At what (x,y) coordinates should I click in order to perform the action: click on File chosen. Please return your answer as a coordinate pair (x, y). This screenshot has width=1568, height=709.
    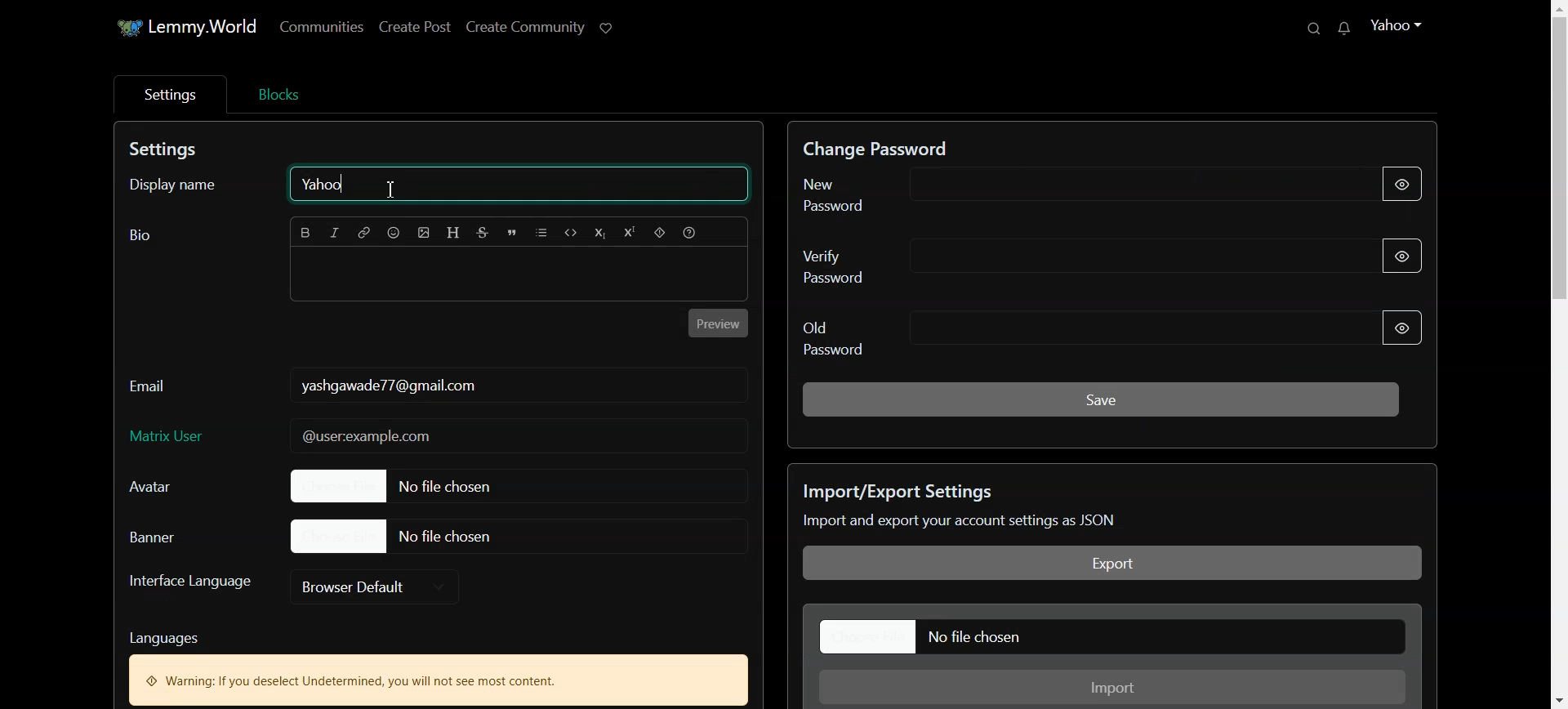
    Looking at the image, I should click on (421, 485).